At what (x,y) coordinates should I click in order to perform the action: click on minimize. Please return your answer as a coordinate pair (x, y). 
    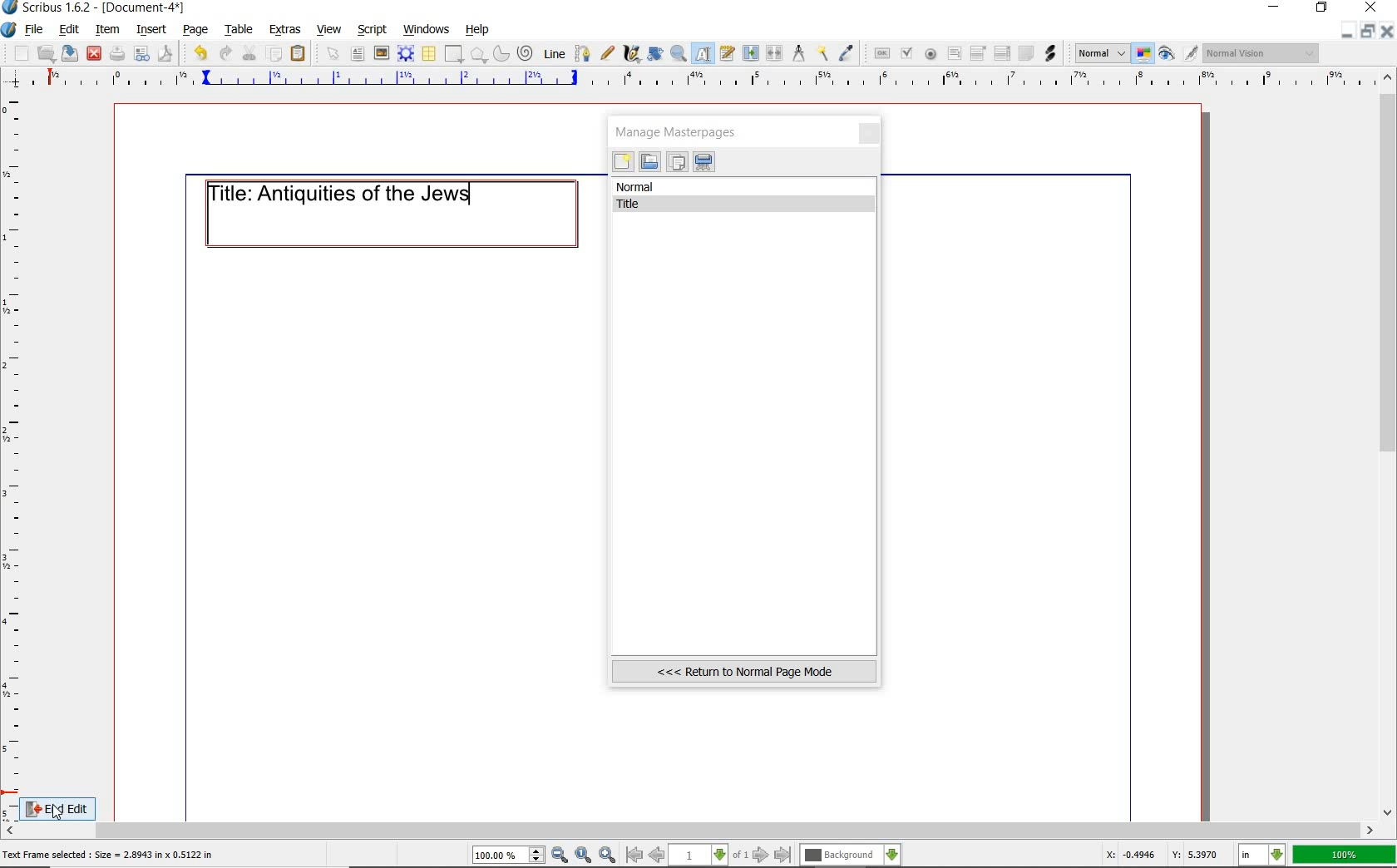
    Looking at the image, I should click on (1349, 31).